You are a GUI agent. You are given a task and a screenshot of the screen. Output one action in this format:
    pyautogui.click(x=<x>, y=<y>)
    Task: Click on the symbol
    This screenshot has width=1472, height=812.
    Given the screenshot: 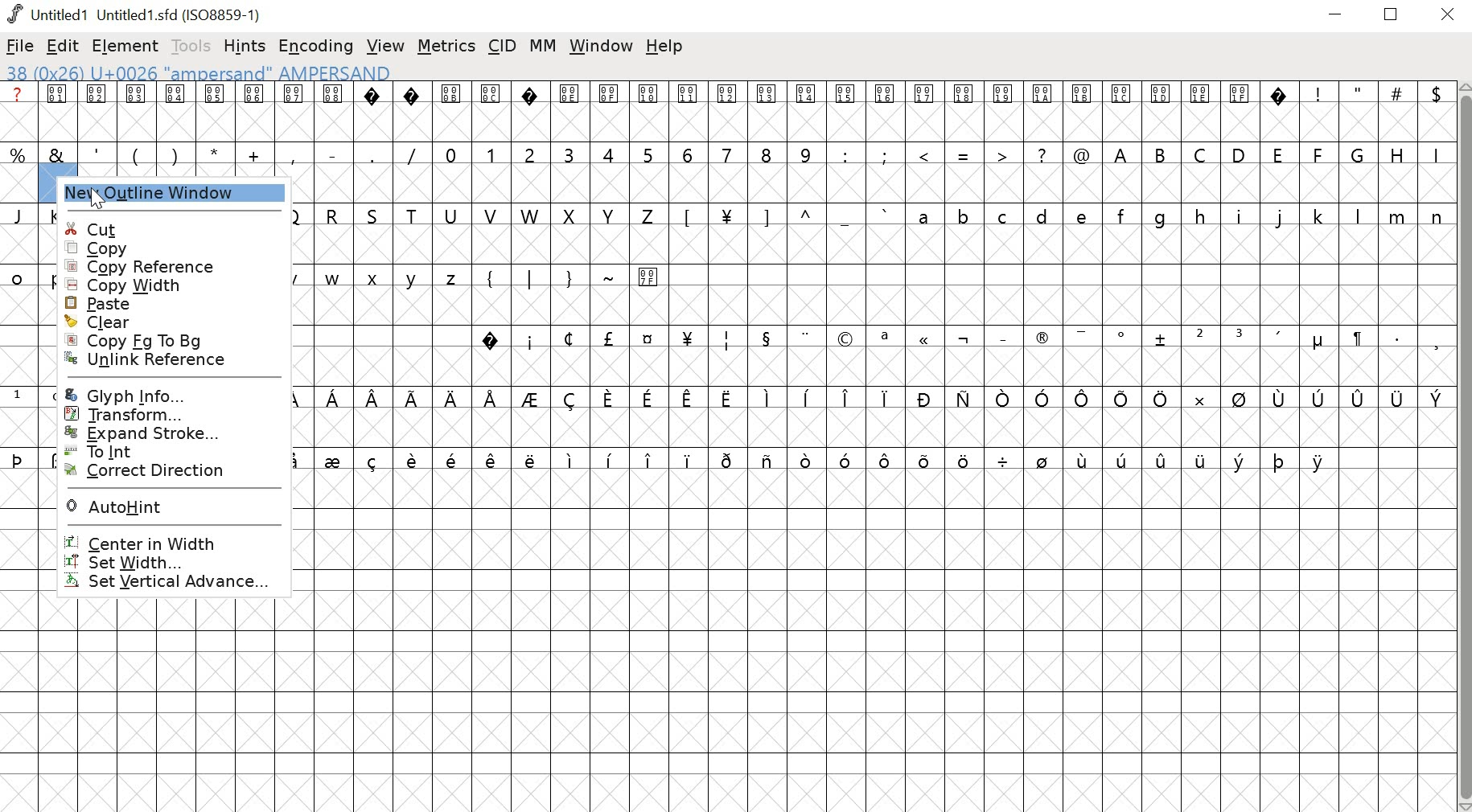 What is the action you would take?
    pyautogui.click(x=763, y=337)
    